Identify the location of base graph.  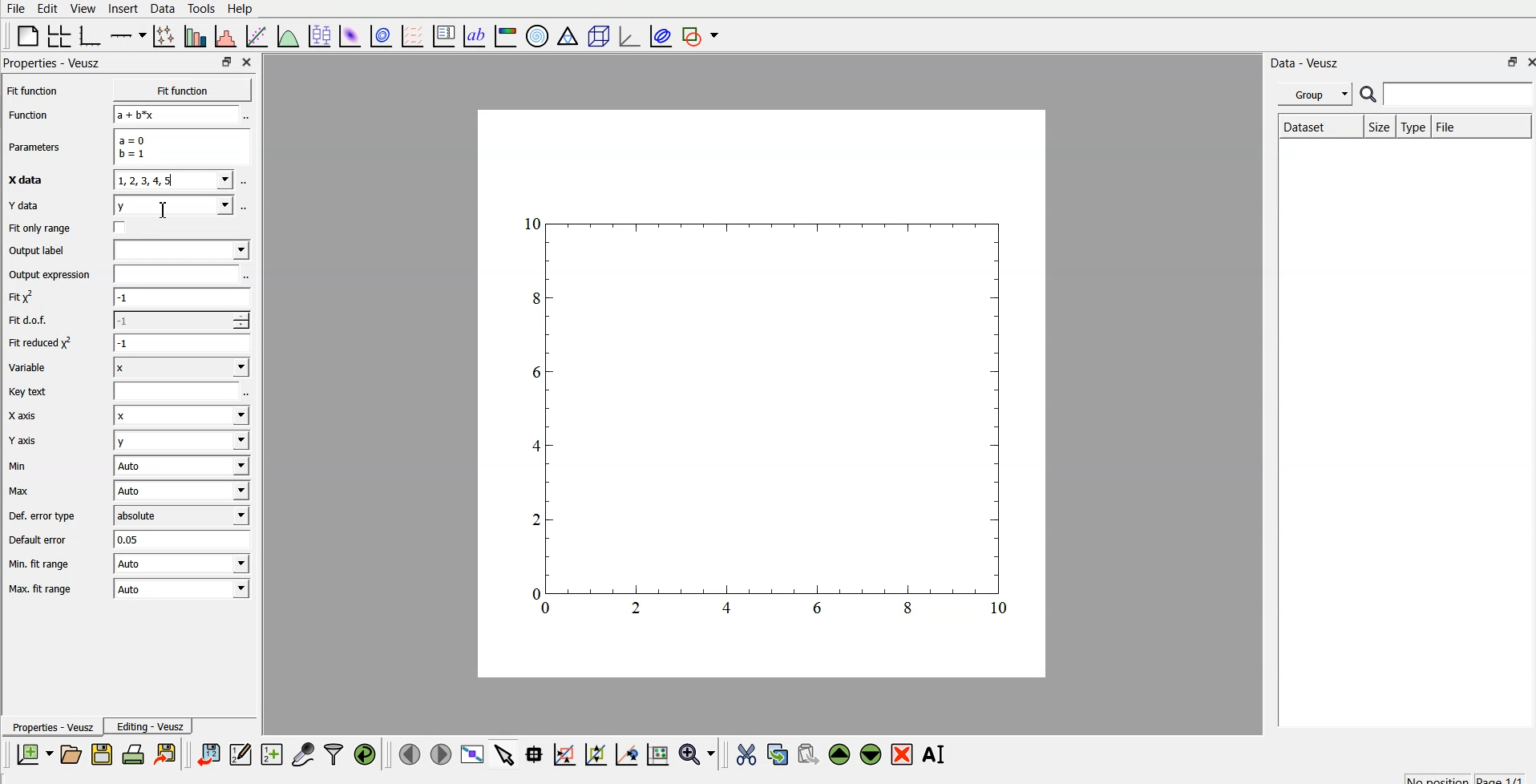
(89, 37).